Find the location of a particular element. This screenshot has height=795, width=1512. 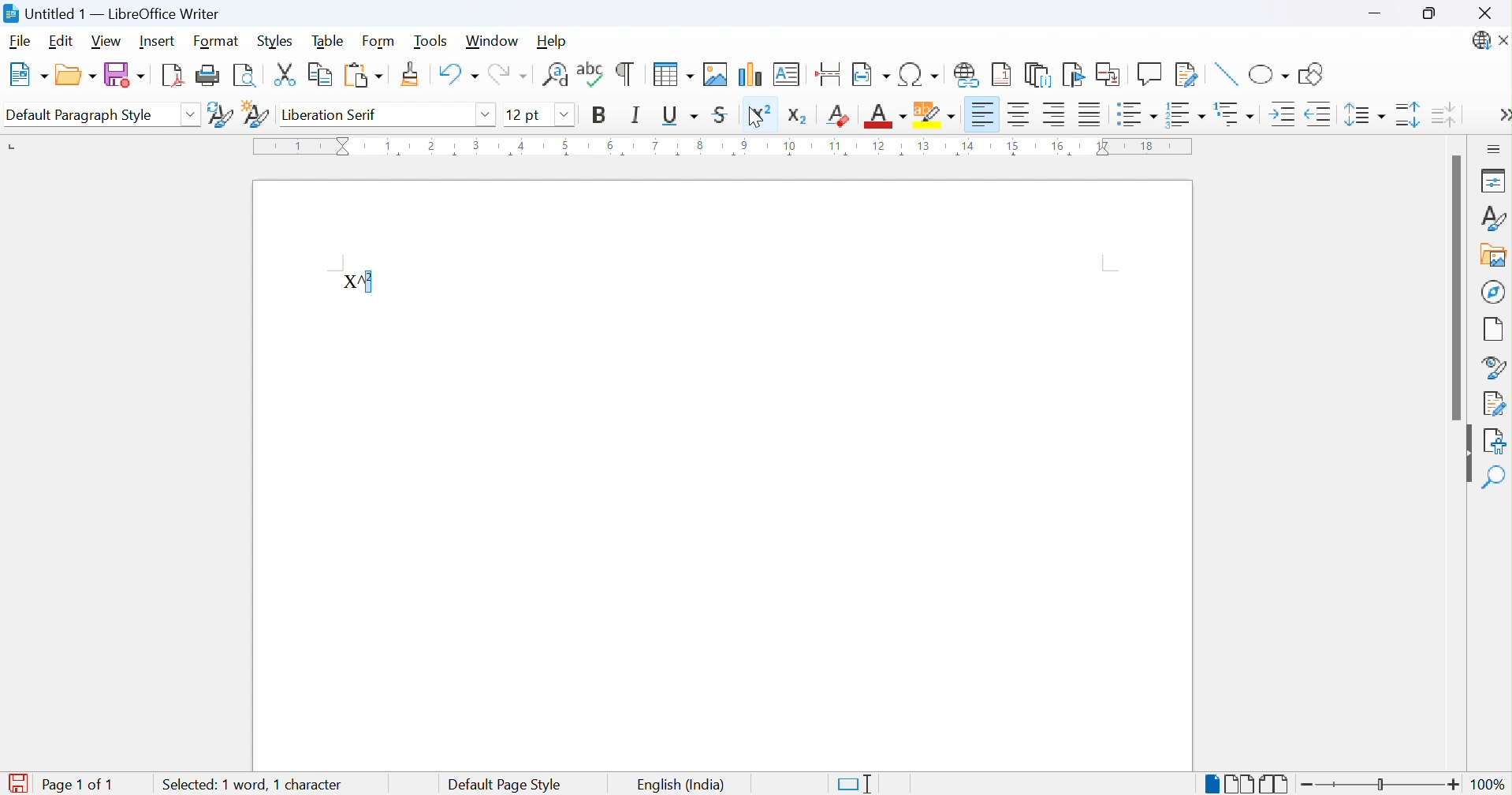

Strikethrough is located at coordinates (722, 114).